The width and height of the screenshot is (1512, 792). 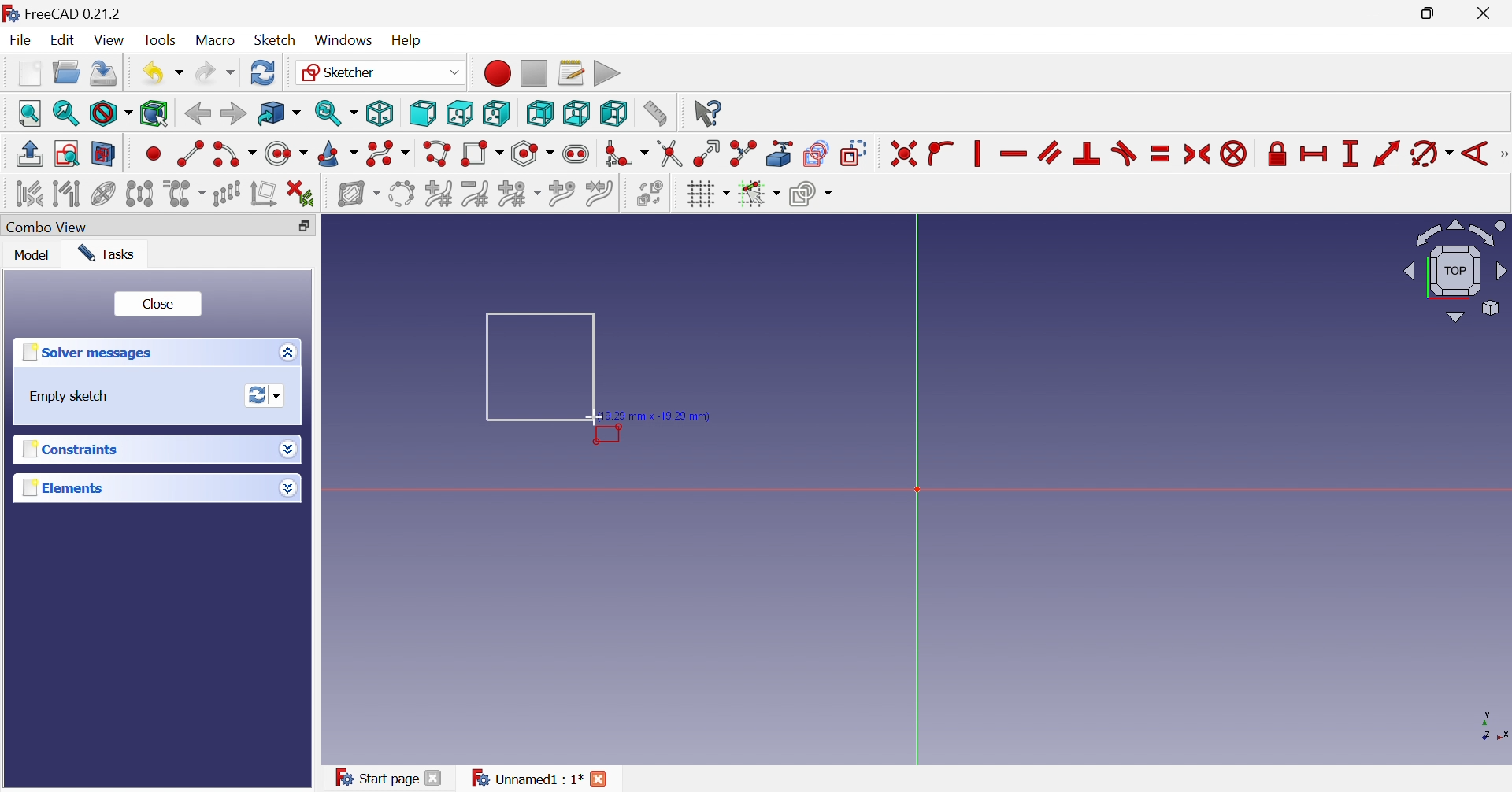 What do you see at coordinates (279, 114) in the screenshot?
I see `Go to linked object` at bounding box center [279, 114].